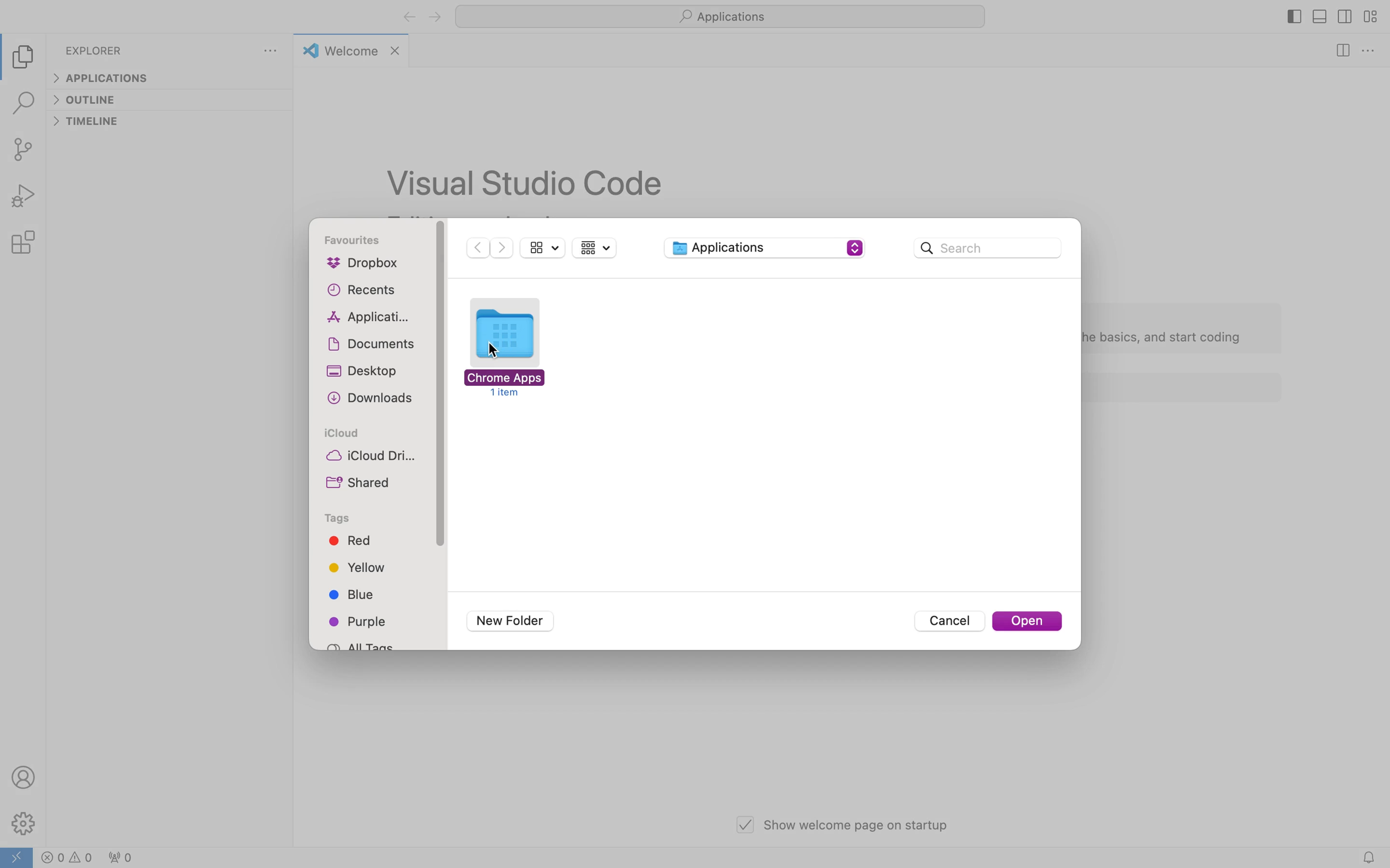 This screenshot has width=1390, height=868. Describe the element at coordinates (104, 79) in the screenshot. I see `applications` at that location.